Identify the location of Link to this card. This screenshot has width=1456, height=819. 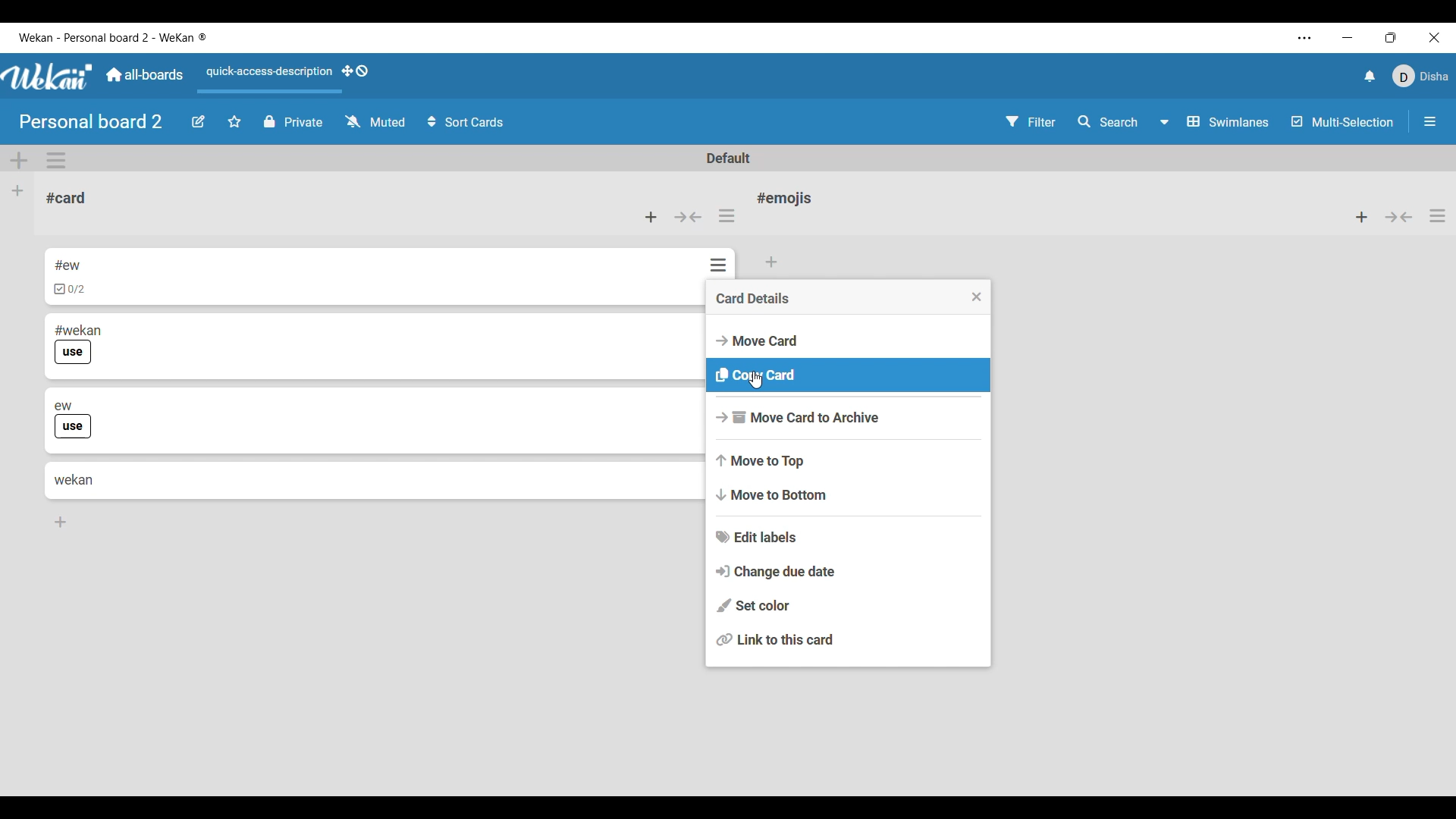
(847, 640).